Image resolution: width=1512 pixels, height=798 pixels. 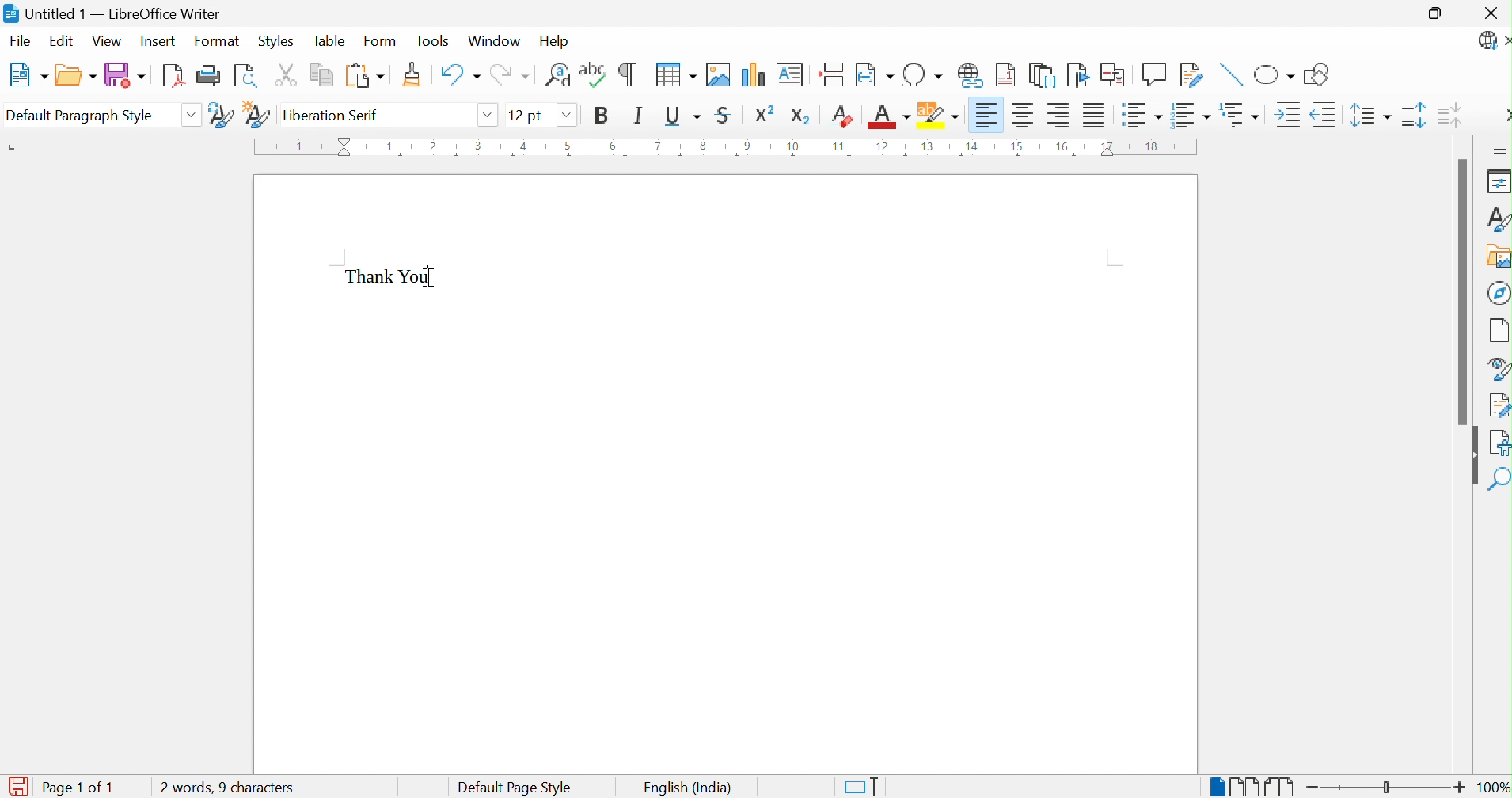 What do you see at coordinates (629, 74) in the screenshot?
I see `Toggle Formatting Marks` at bounding box center [629, 74].